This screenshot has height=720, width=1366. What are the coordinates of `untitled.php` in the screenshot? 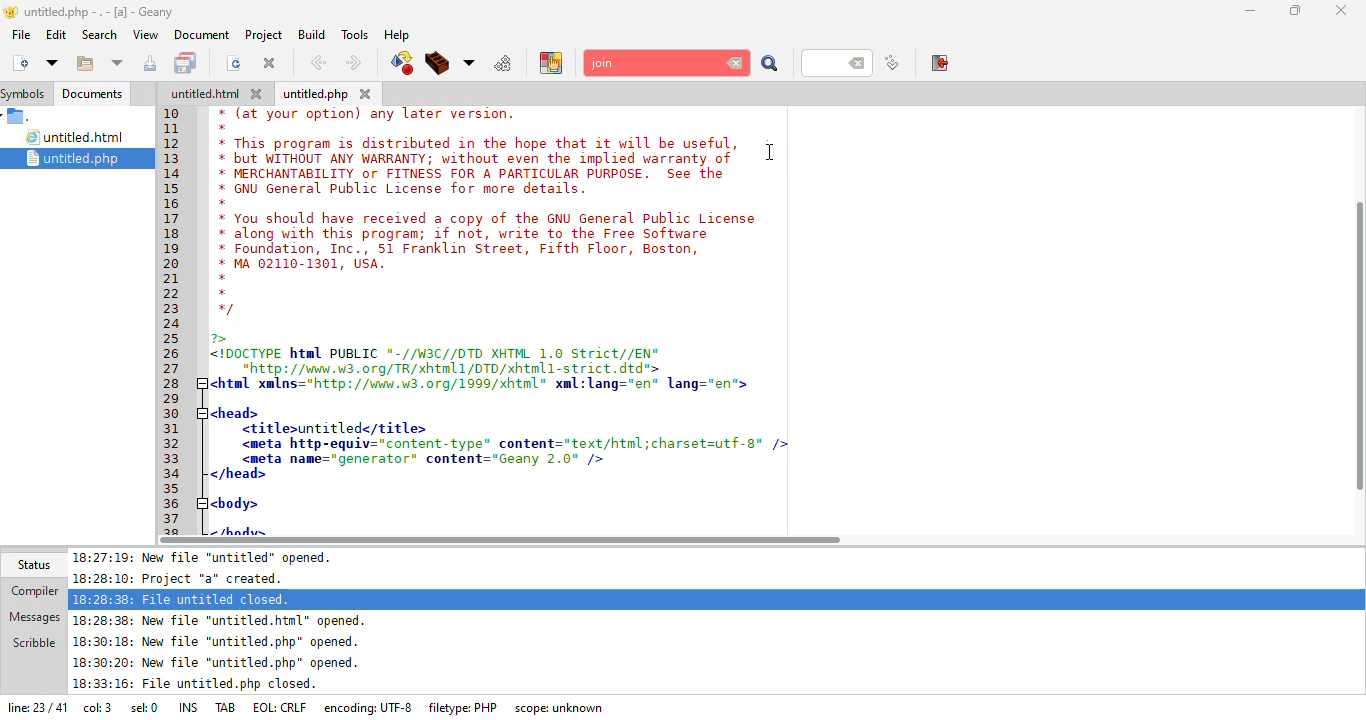 It's located at (316, 95).